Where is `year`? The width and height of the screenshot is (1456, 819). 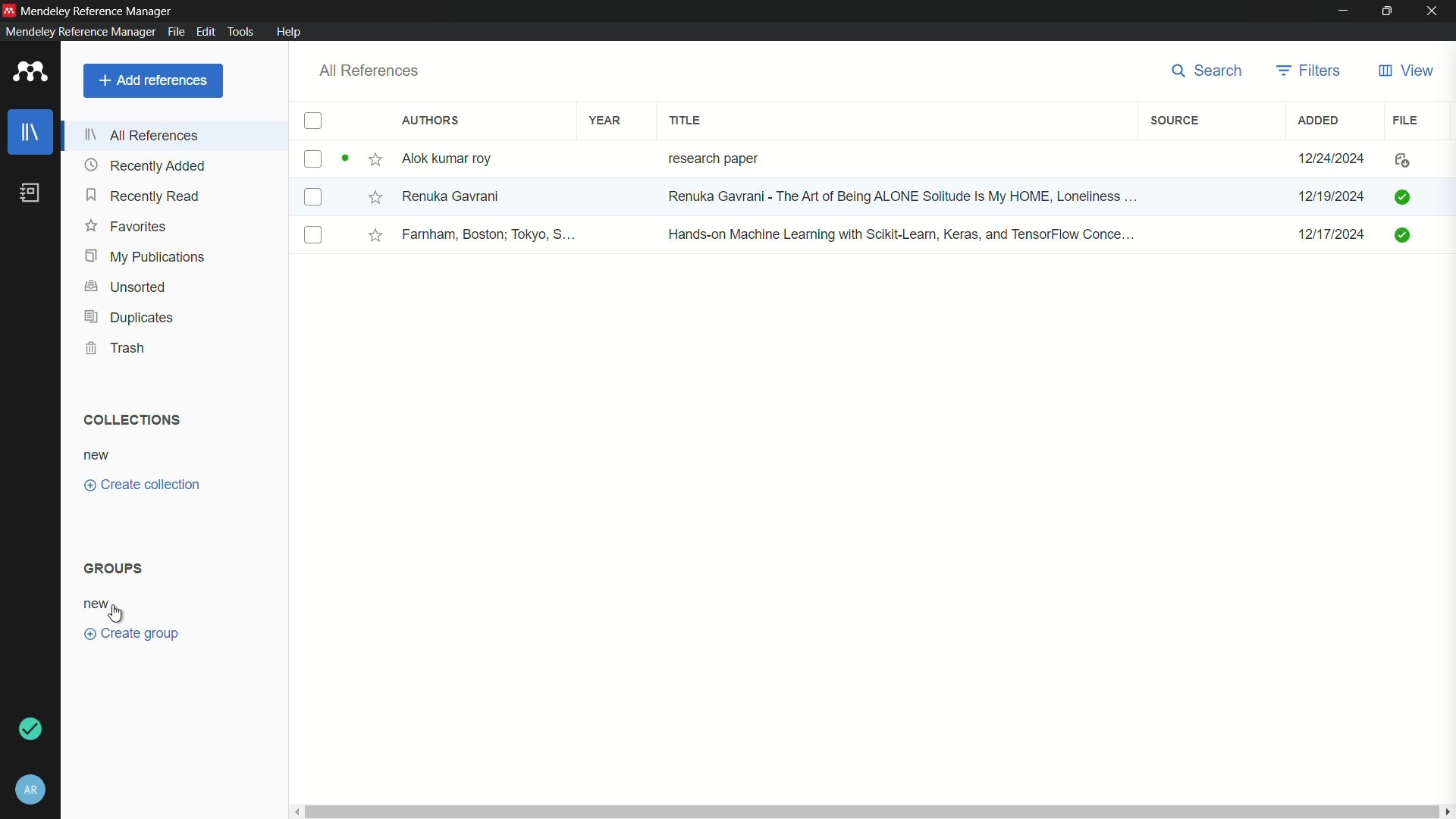 year is located at coordinates (605, 120).